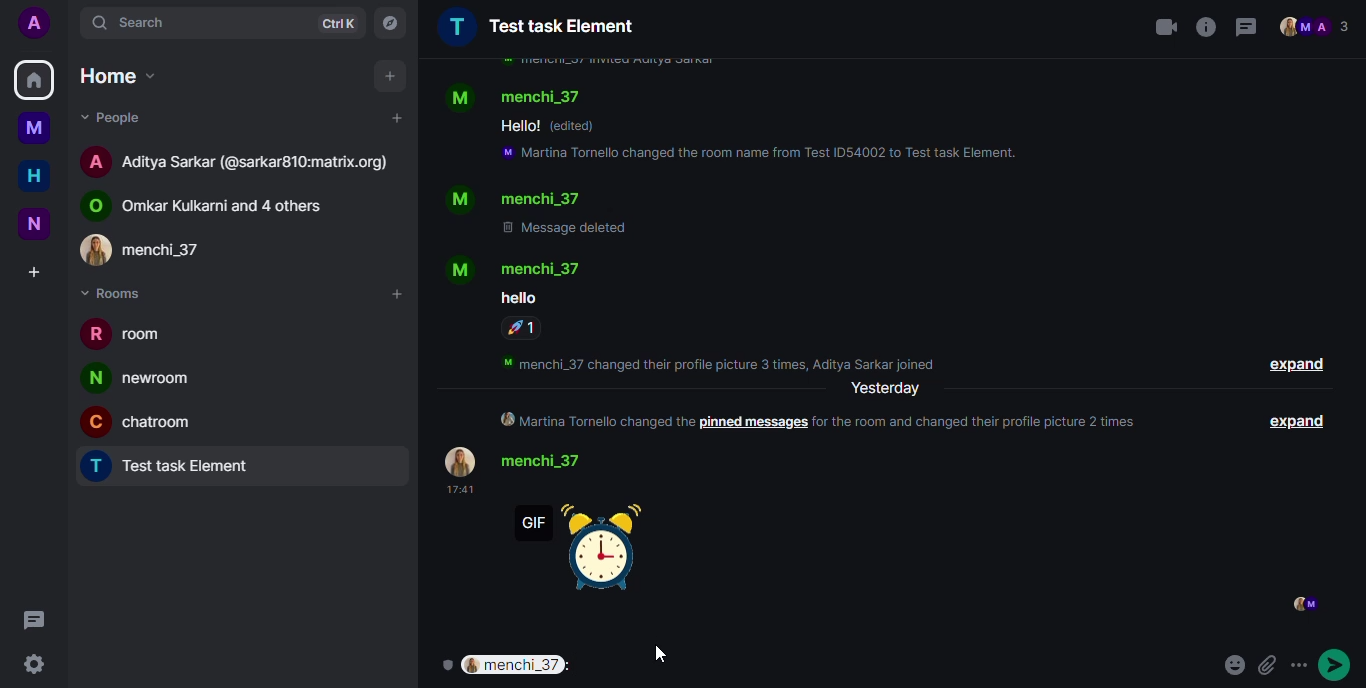 Image resolution: width=1366 pixels, height=688 pixels. Describe the element at coordinates (593, 421) in the screenshot. I see `Martina tornello changed` at that location.